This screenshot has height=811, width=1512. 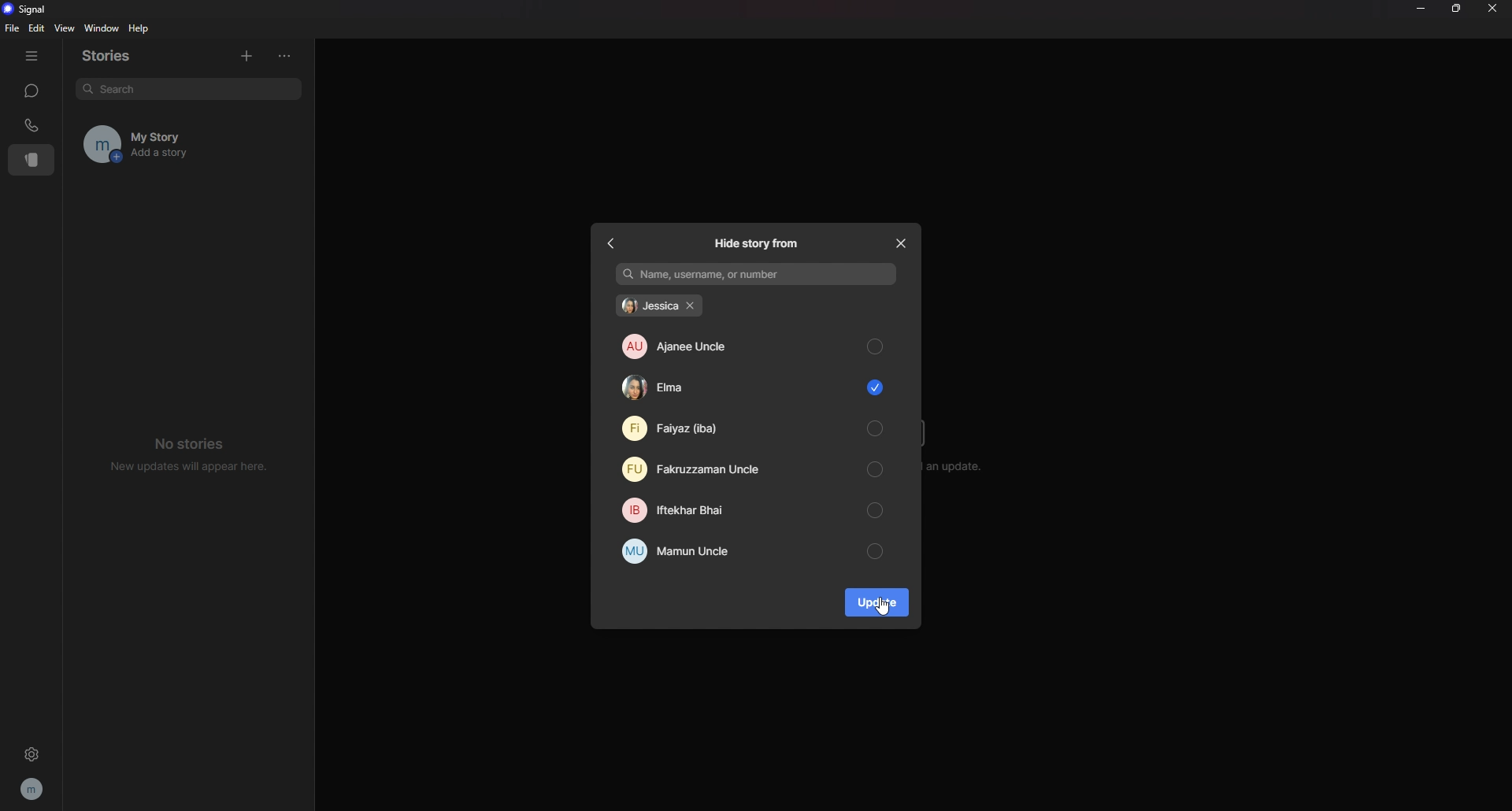 What do you see at coordinates (117, 56) in the screenshot?
I see `stories` at bounding box center [117, 56].